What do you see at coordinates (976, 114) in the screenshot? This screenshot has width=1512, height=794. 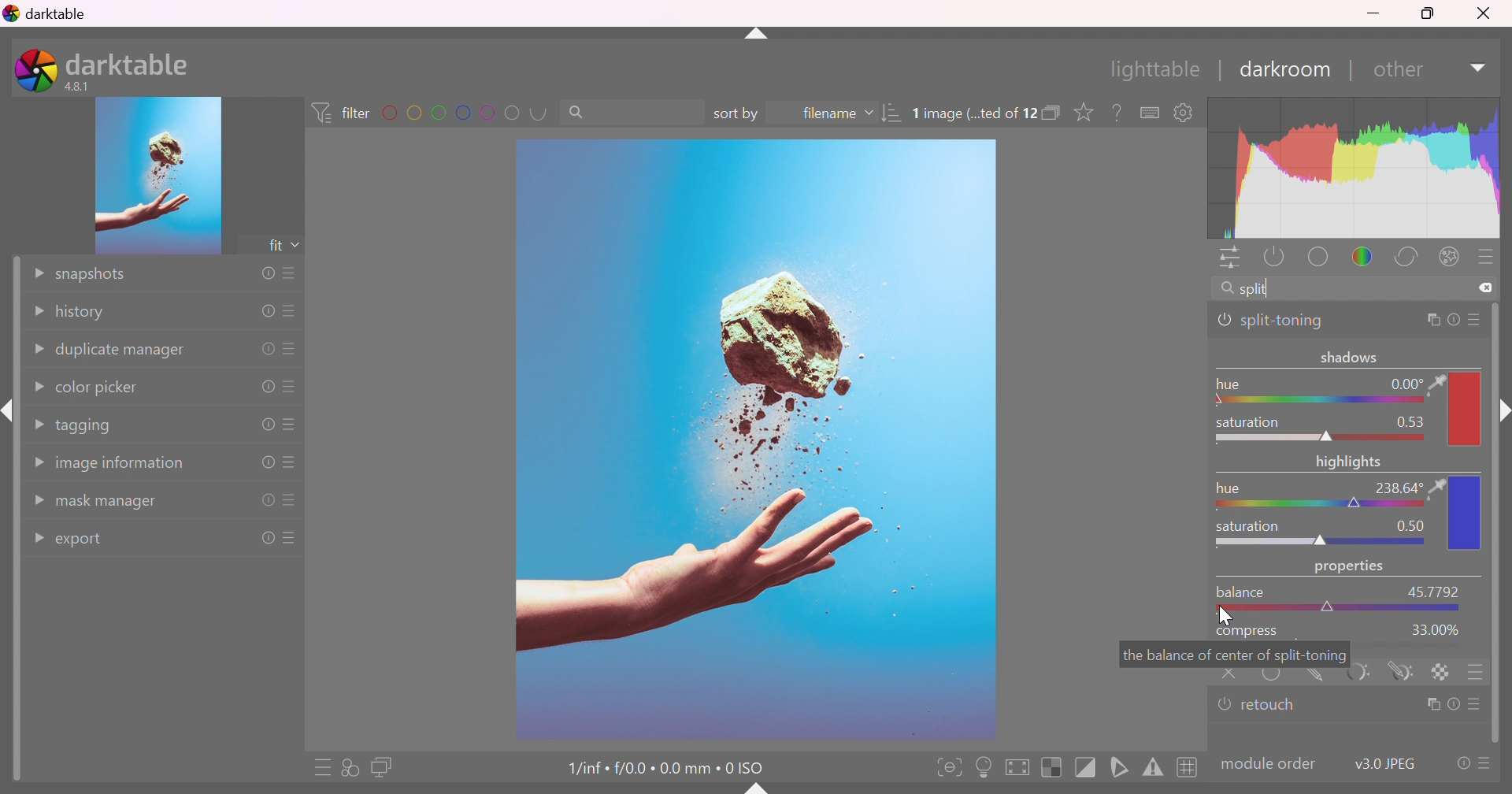 I see `1 image (...ted of 12` at bounding box center [976, 114].